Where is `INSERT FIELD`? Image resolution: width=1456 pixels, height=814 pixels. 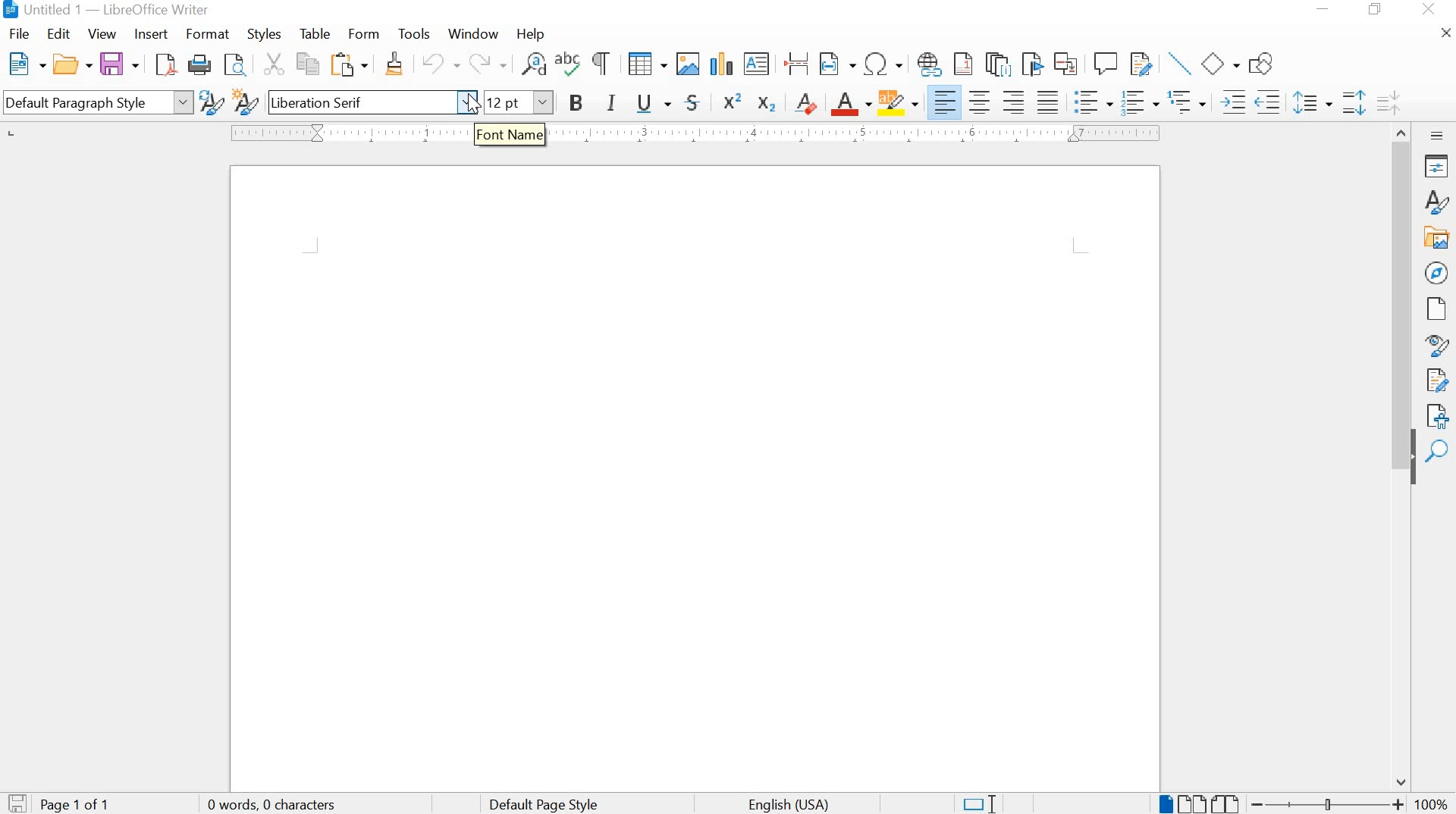 INSERT FIELD is located at coordinates (836, 65).